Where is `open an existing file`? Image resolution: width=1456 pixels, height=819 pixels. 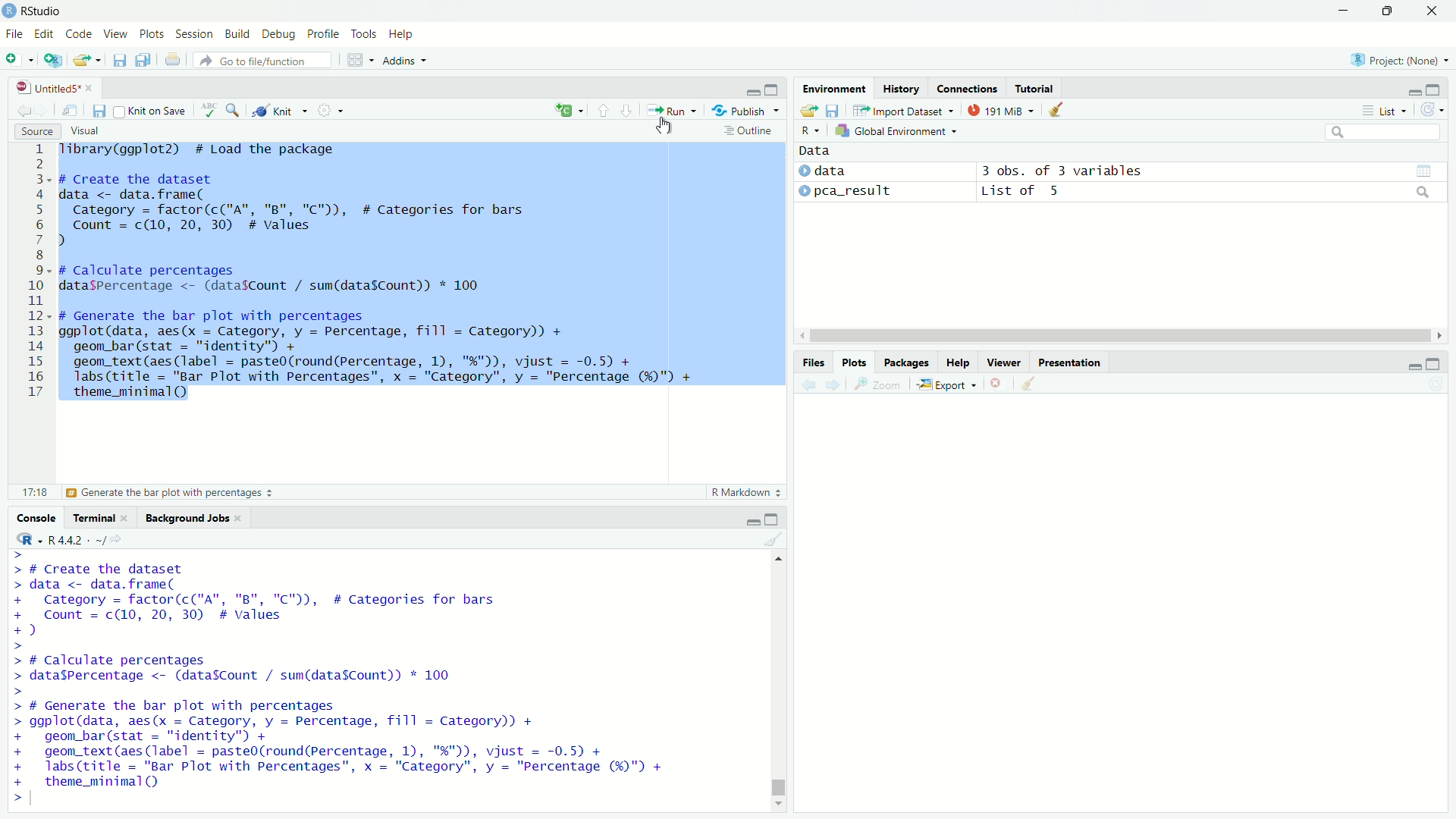
open an existing file is located at coordinates (86, 60).